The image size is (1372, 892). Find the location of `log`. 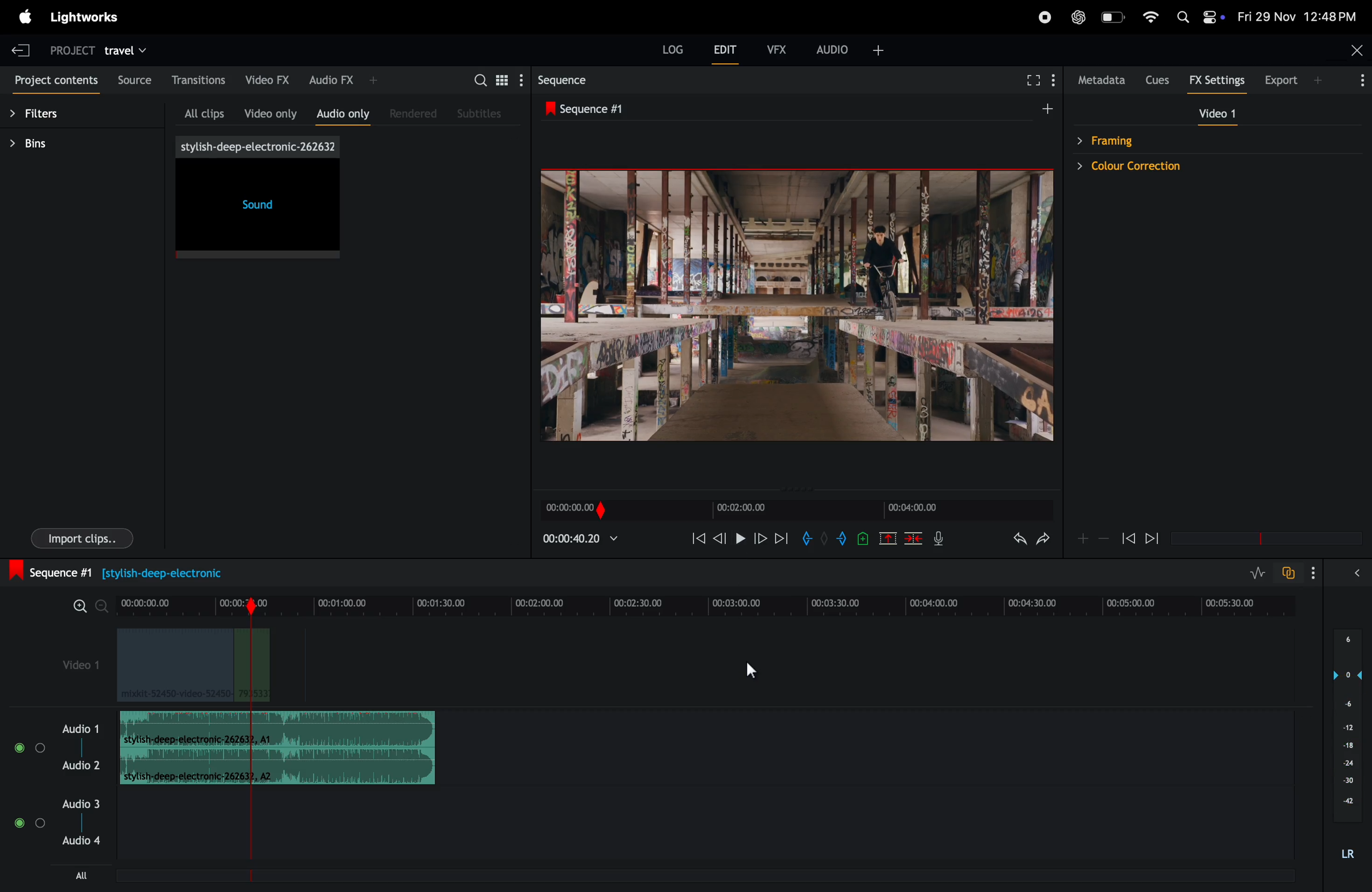

log is located at coordinates (666, 47).